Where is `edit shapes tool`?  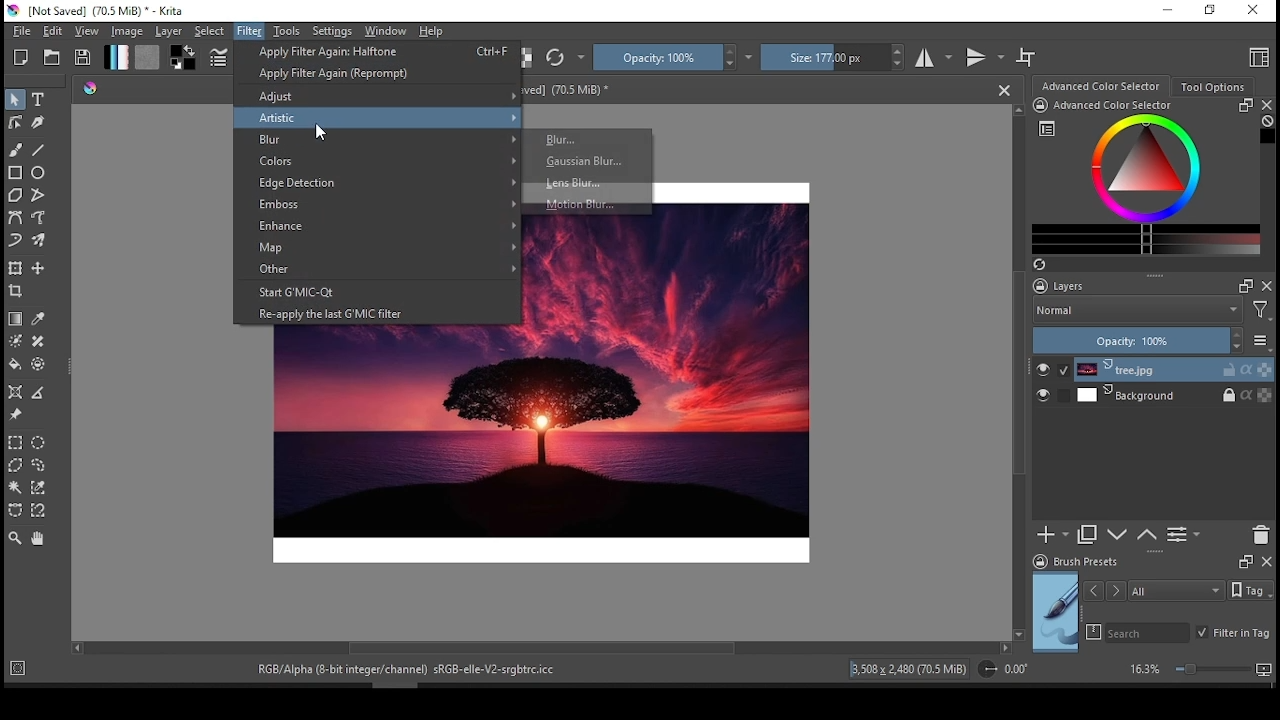
edit shapes tool is located at coordinates (14, 122).